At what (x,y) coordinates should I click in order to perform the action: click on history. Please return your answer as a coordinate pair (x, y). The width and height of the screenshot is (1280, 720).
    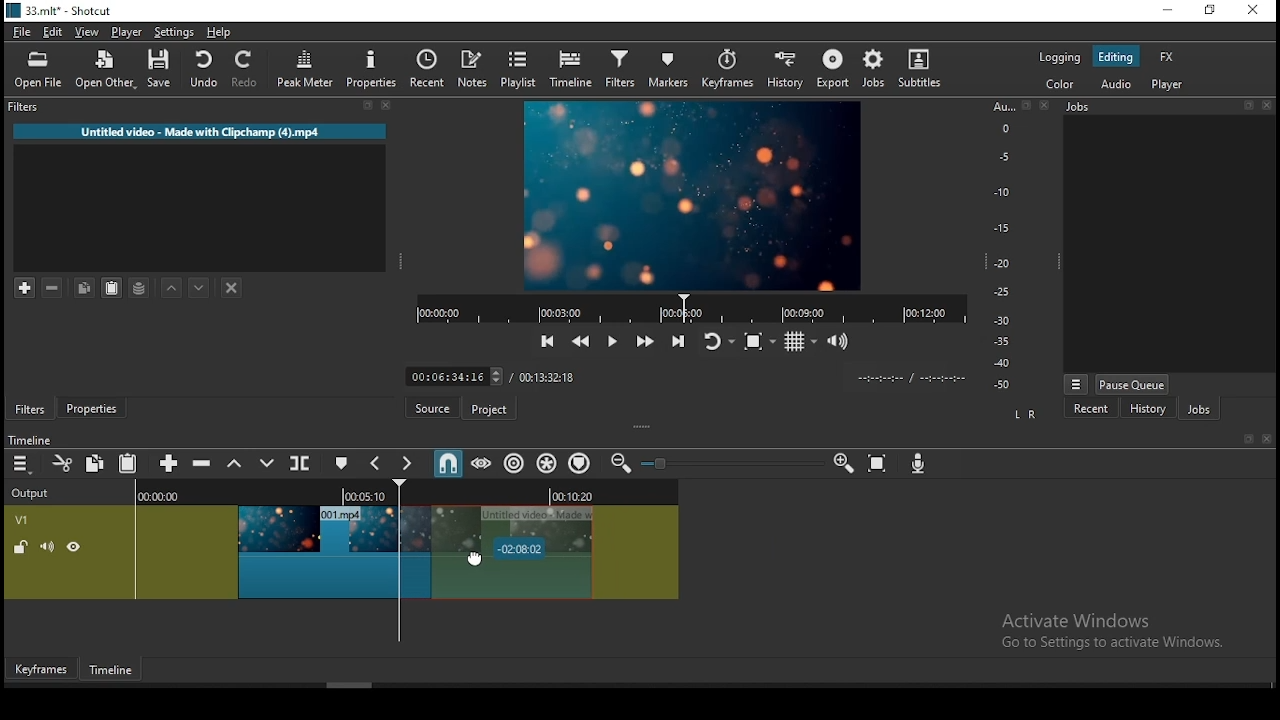
    Looking at the image, I should click on (782, 71).